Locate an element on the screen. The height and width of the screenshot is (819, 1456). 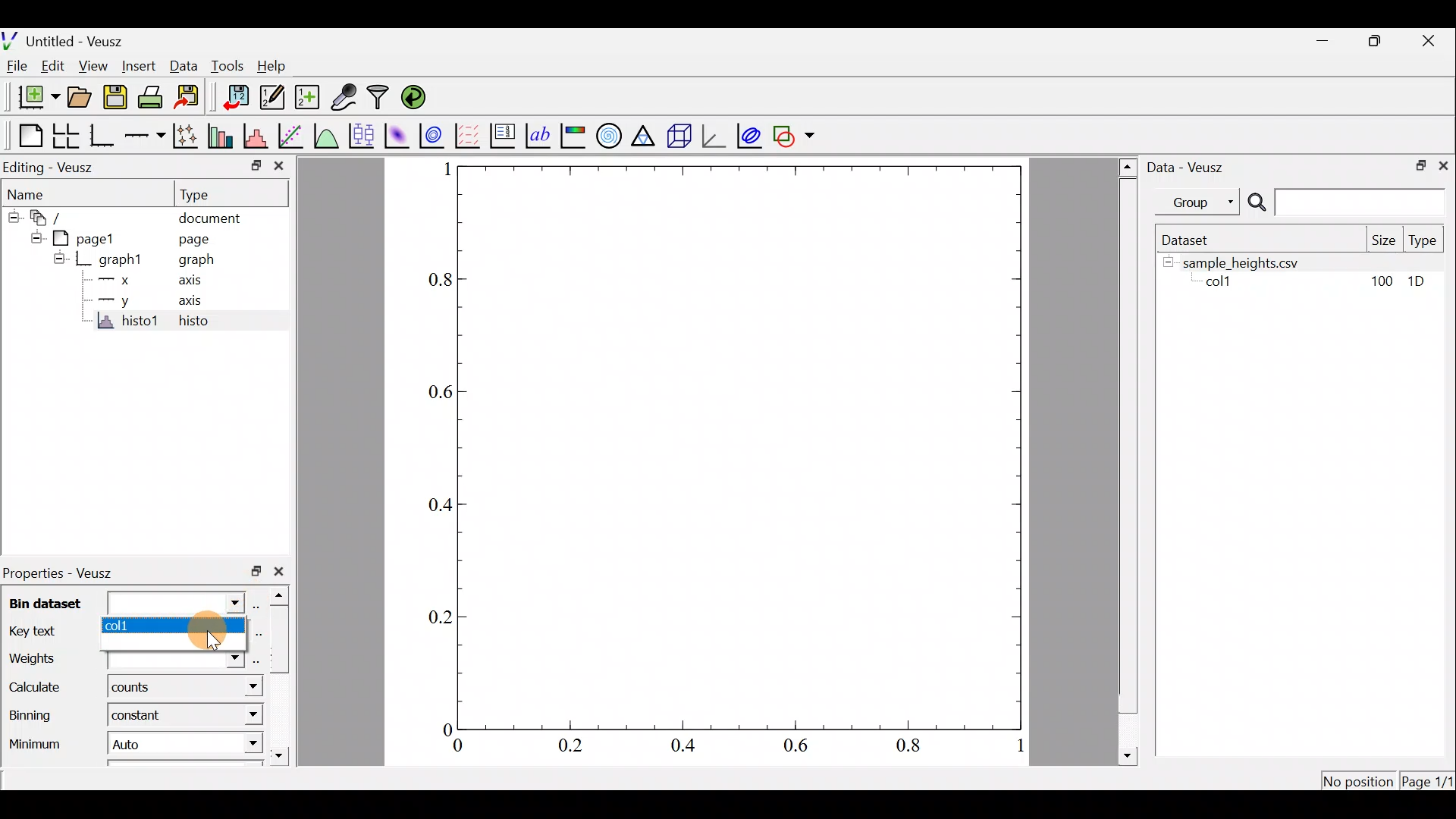
0.6 is located at coordinates (800, 748).